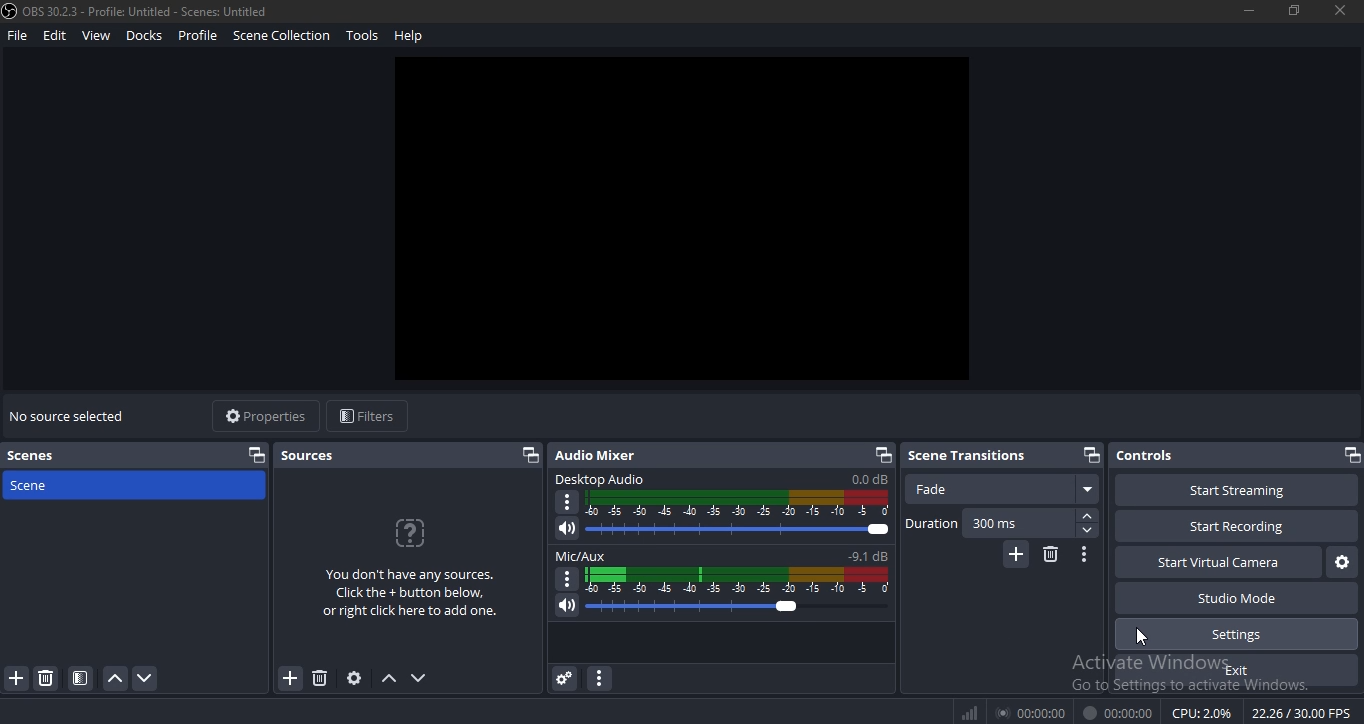 This screenshot has height=724, width=1364. Describe the element at coordinates (967, 455) in the screenshot. I see `scene transitions` at that location.